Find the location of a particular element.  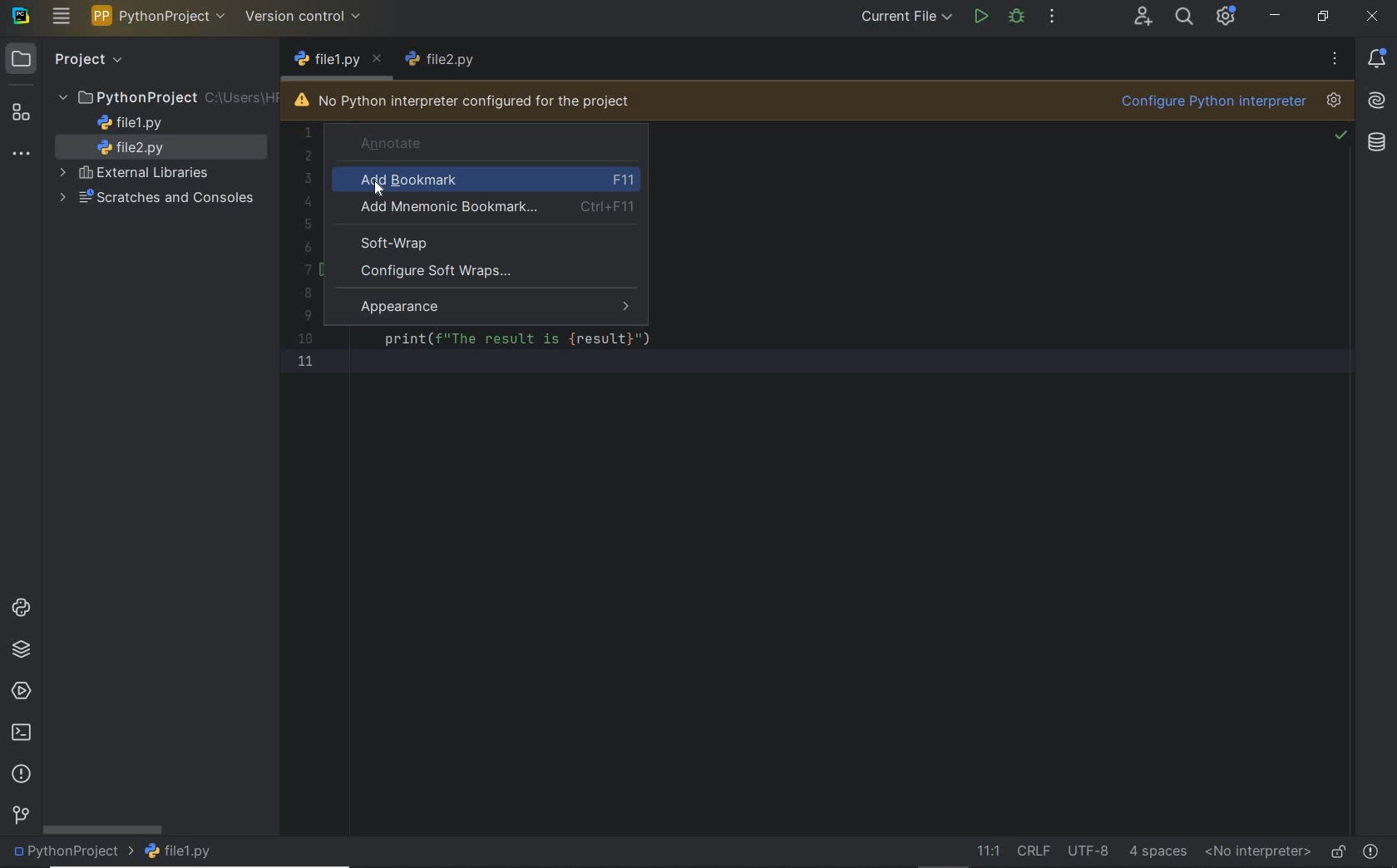

add mnemonic bookmark is located at coordinates (490, 209).